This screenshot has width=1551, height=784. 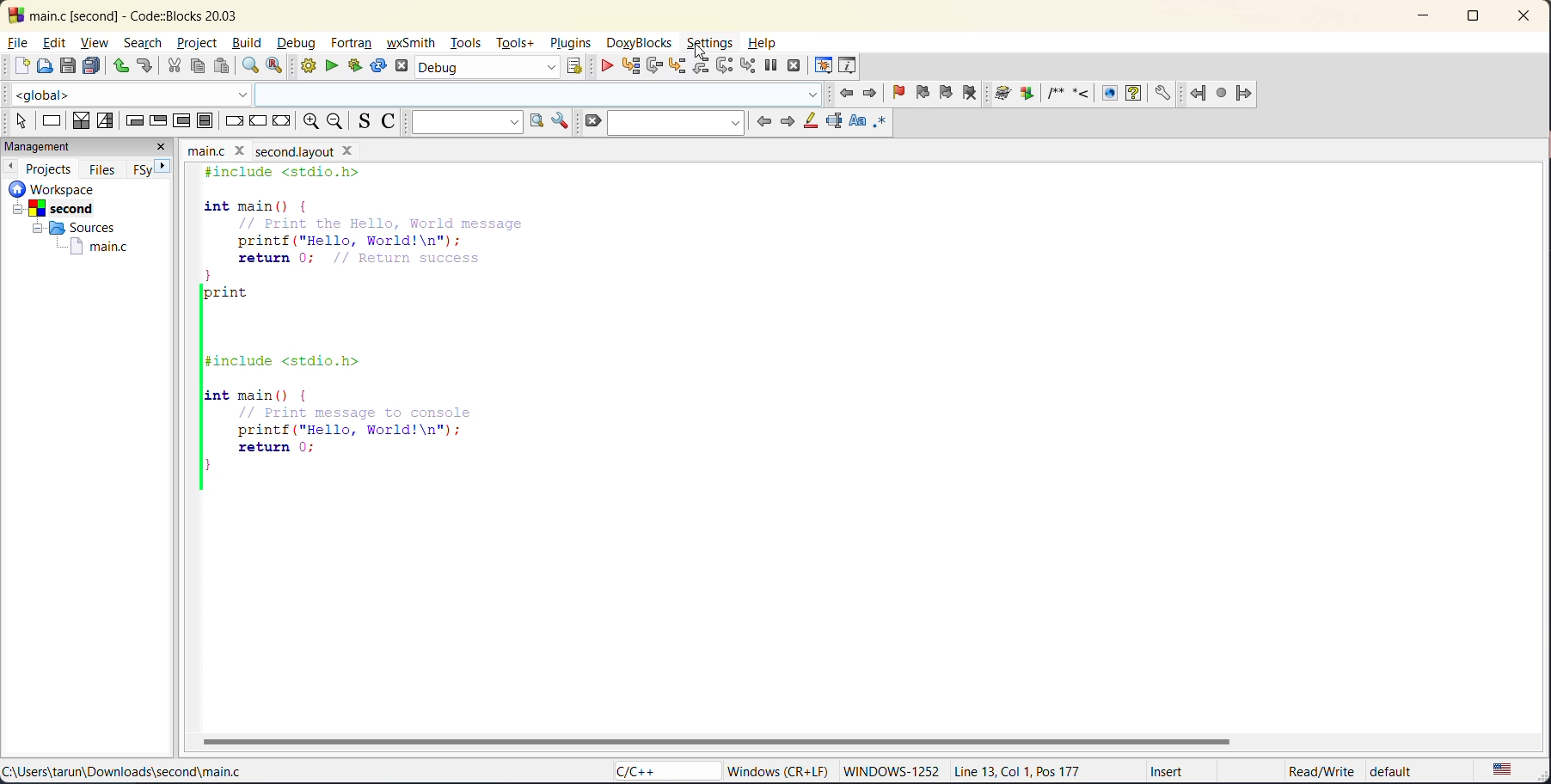 I want to click on Sources, so click(x=70, y=228).